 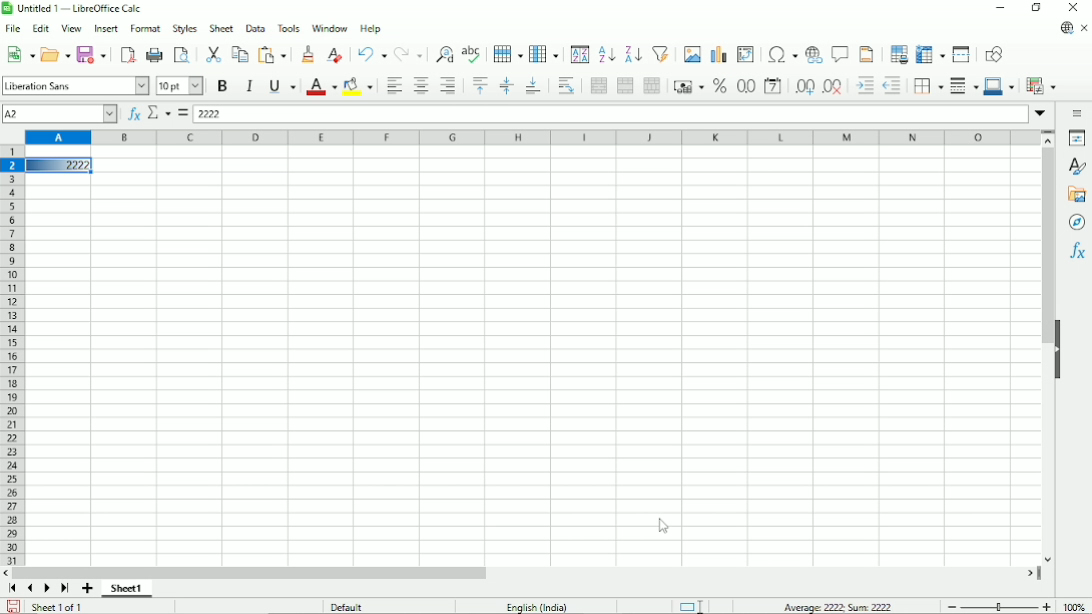 I want to click on Vertical scrollbar, so click(x=1048, y=355).